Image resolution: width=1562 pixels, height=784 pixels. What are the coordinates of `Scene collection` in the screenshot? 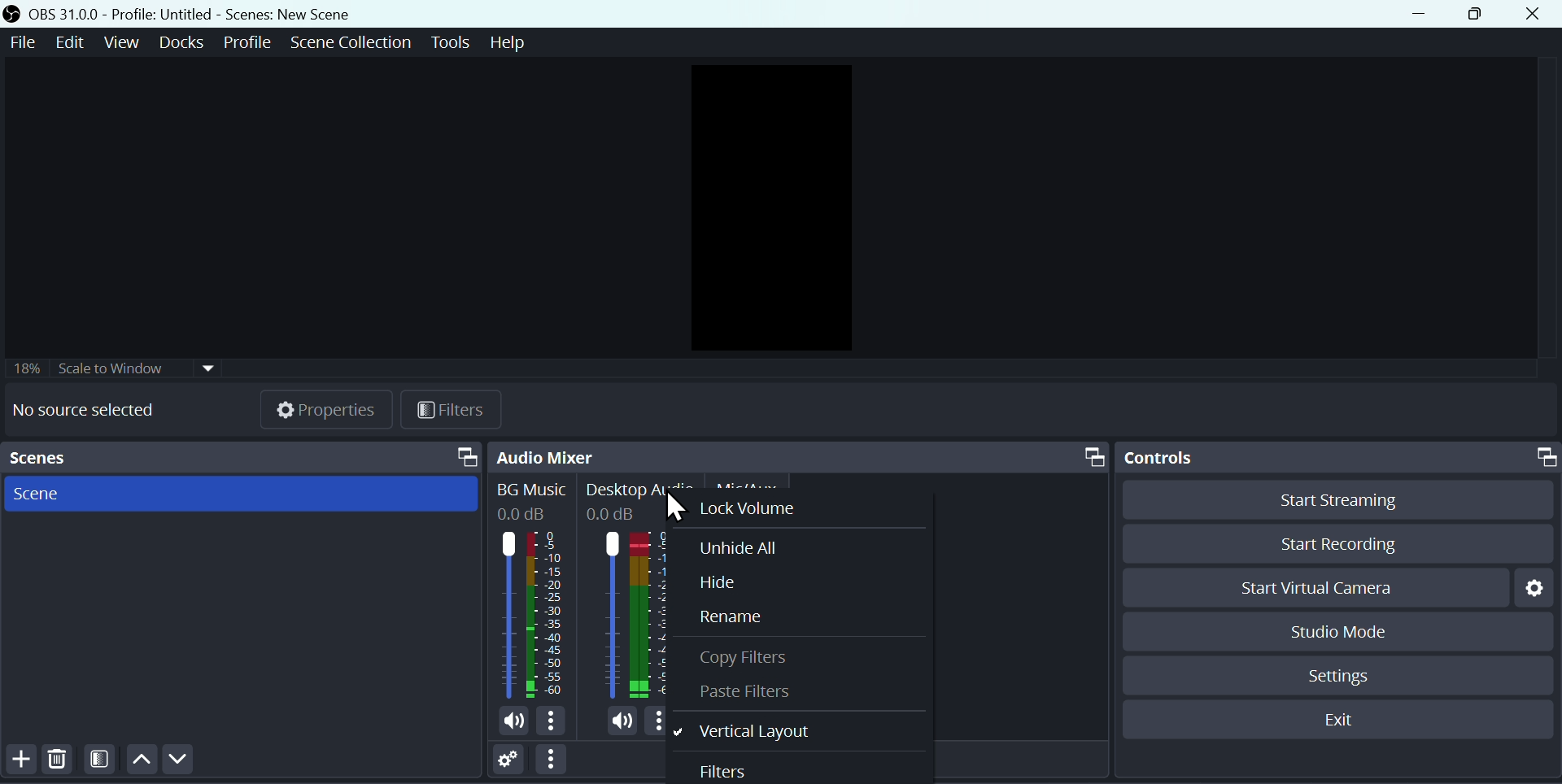 It's located at (351, 44).